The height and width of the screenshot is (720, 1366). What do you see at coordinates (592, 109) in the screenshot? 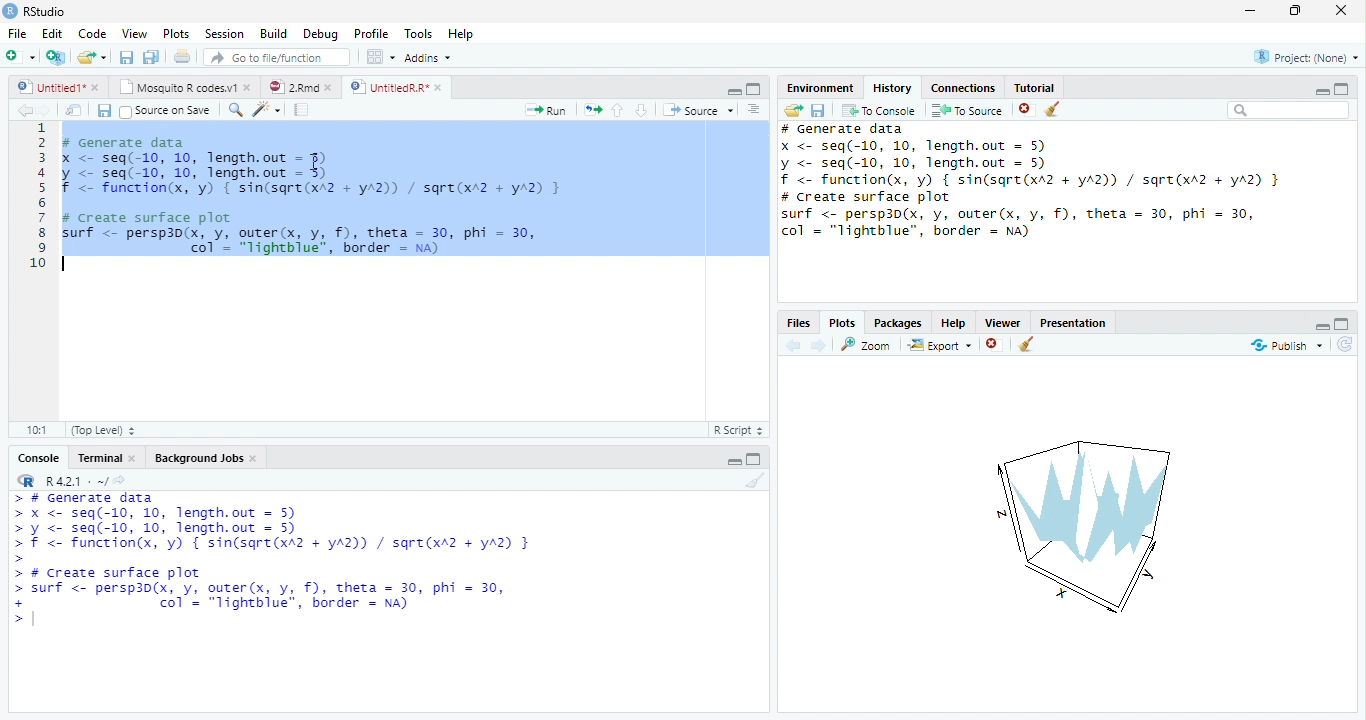
I see `Re-run the previous code region` at bounding box center [592, 109].